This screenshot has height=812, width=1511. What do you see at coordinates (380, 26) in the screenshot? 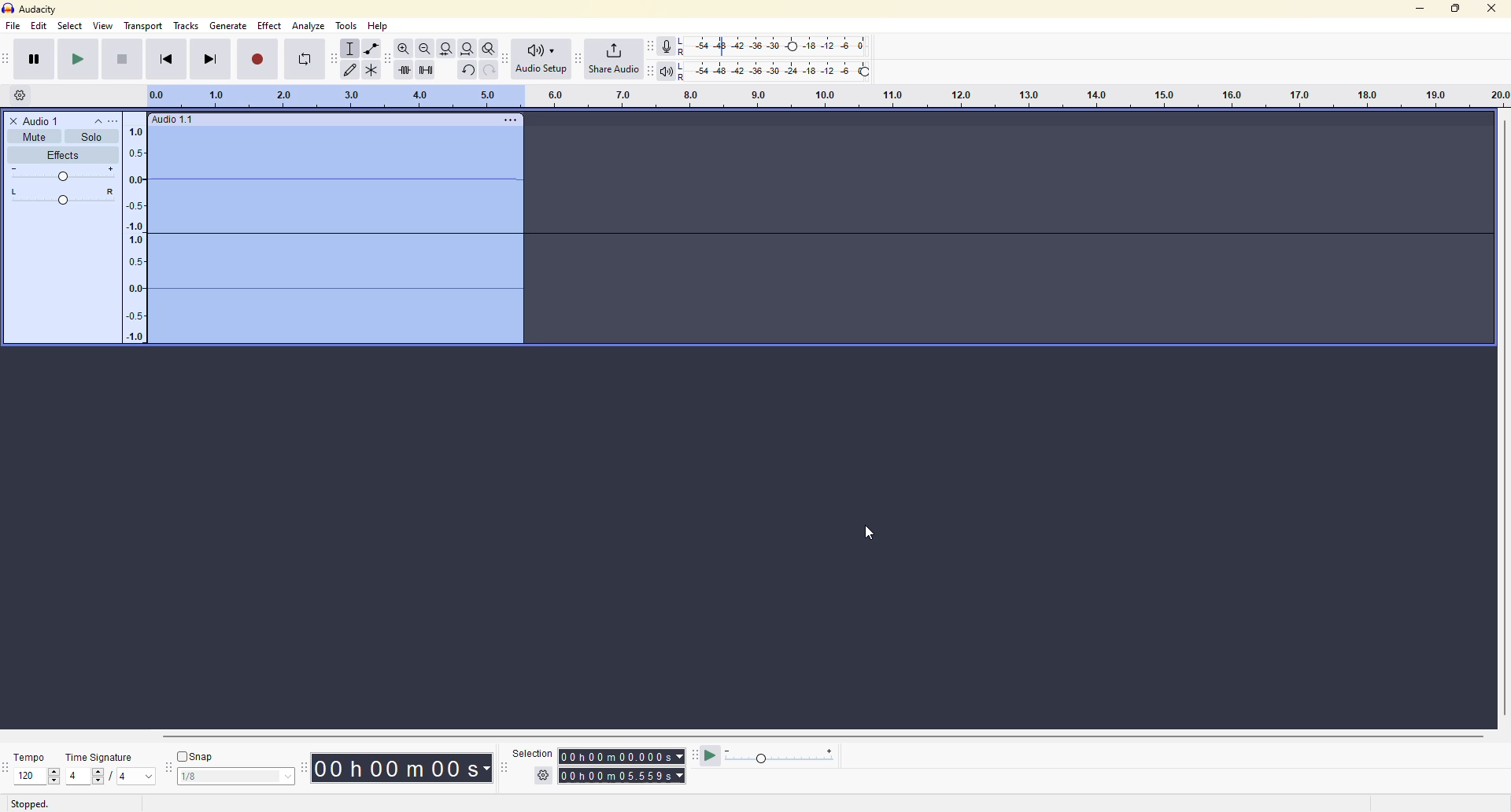
I see `help` at bounding box center [380, 26].